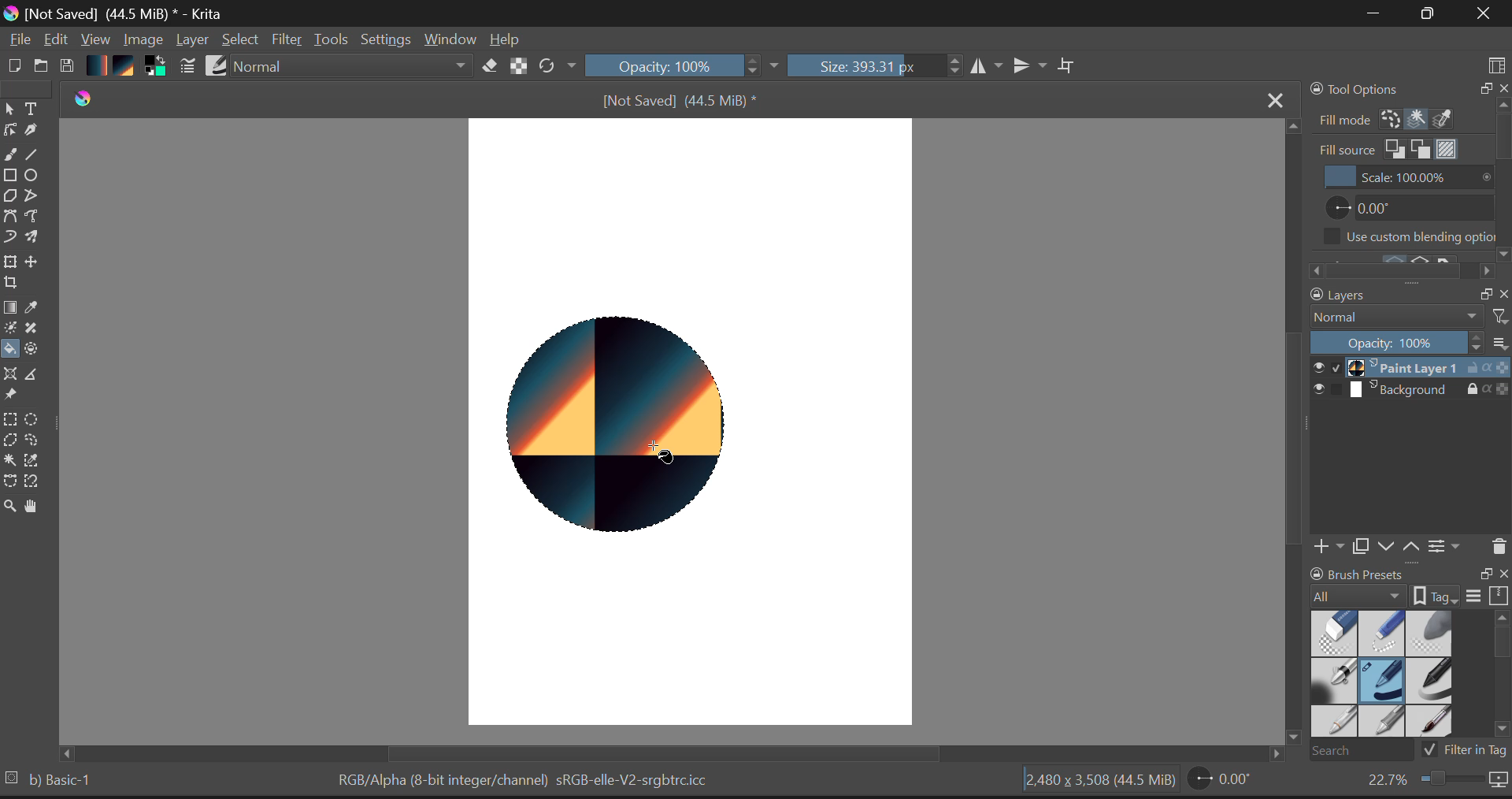  I want to click on Tools, so click(332, 39).